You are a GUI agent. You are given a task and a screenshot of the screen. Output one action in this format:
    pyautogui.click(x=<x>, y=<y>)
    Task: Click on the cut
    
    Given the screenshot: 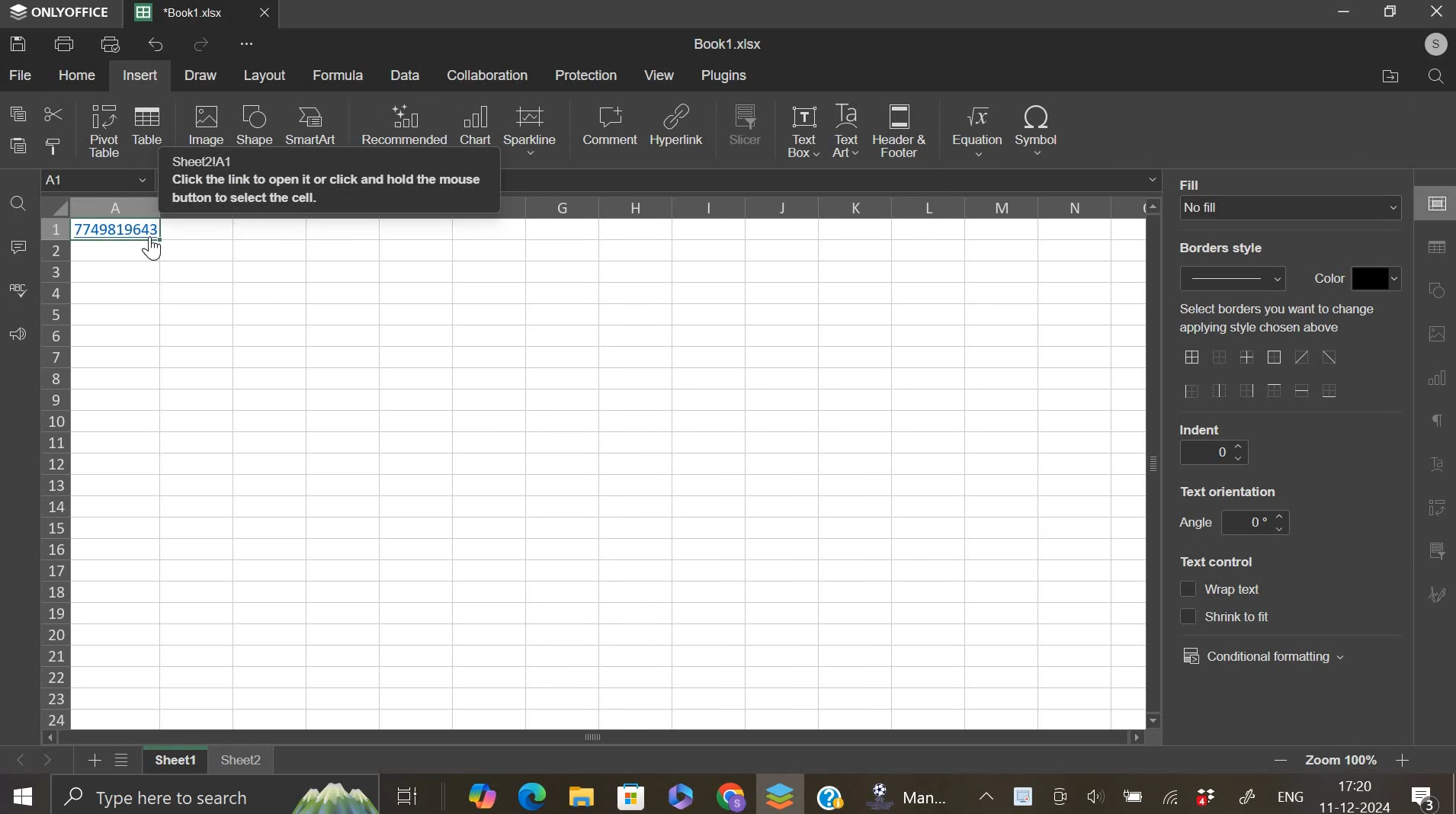 What is the action you would take?
    pyautogui.click(x=53, y=116)
    